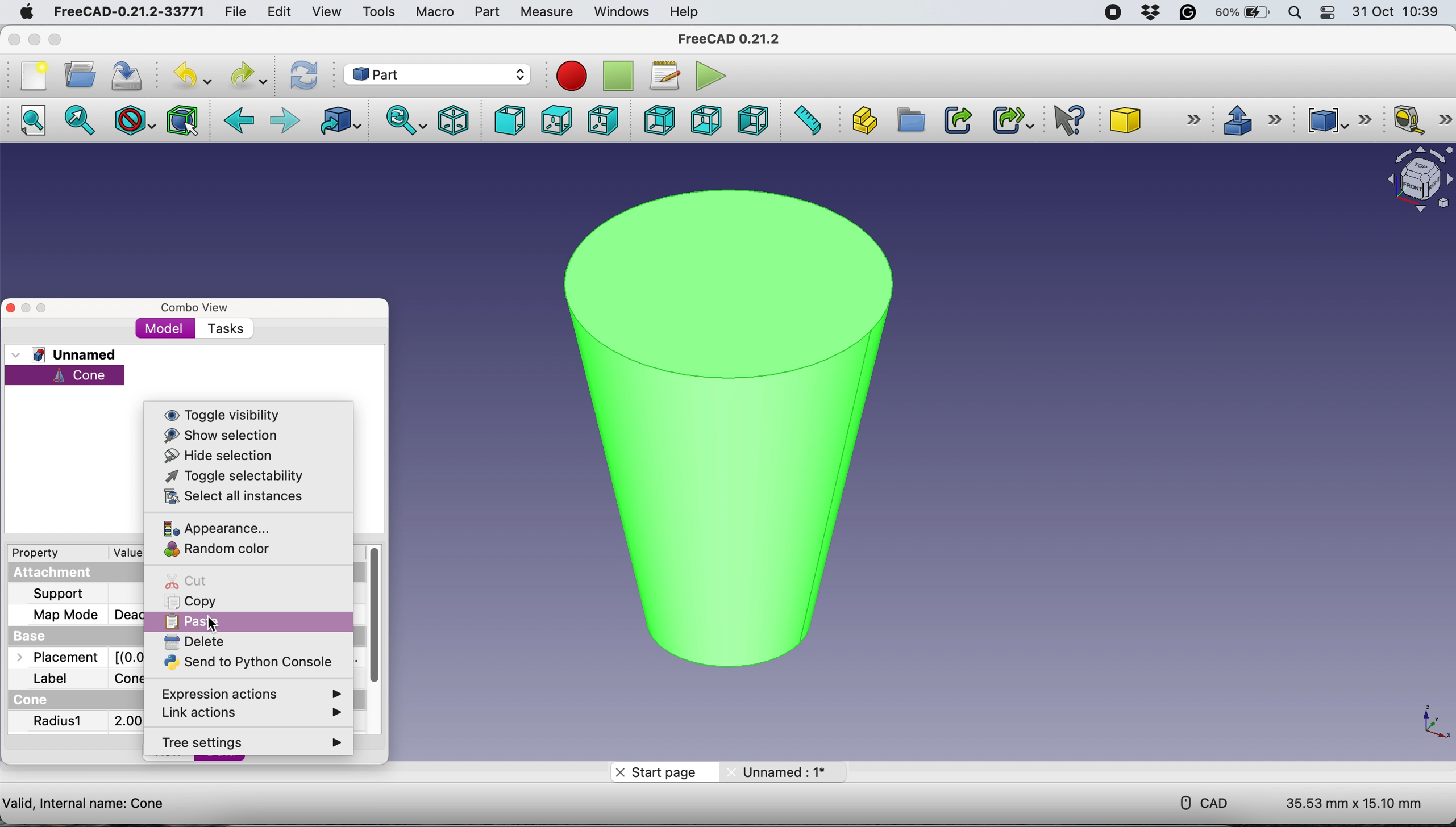  I want to click on grammarly, so click(1189, 15).